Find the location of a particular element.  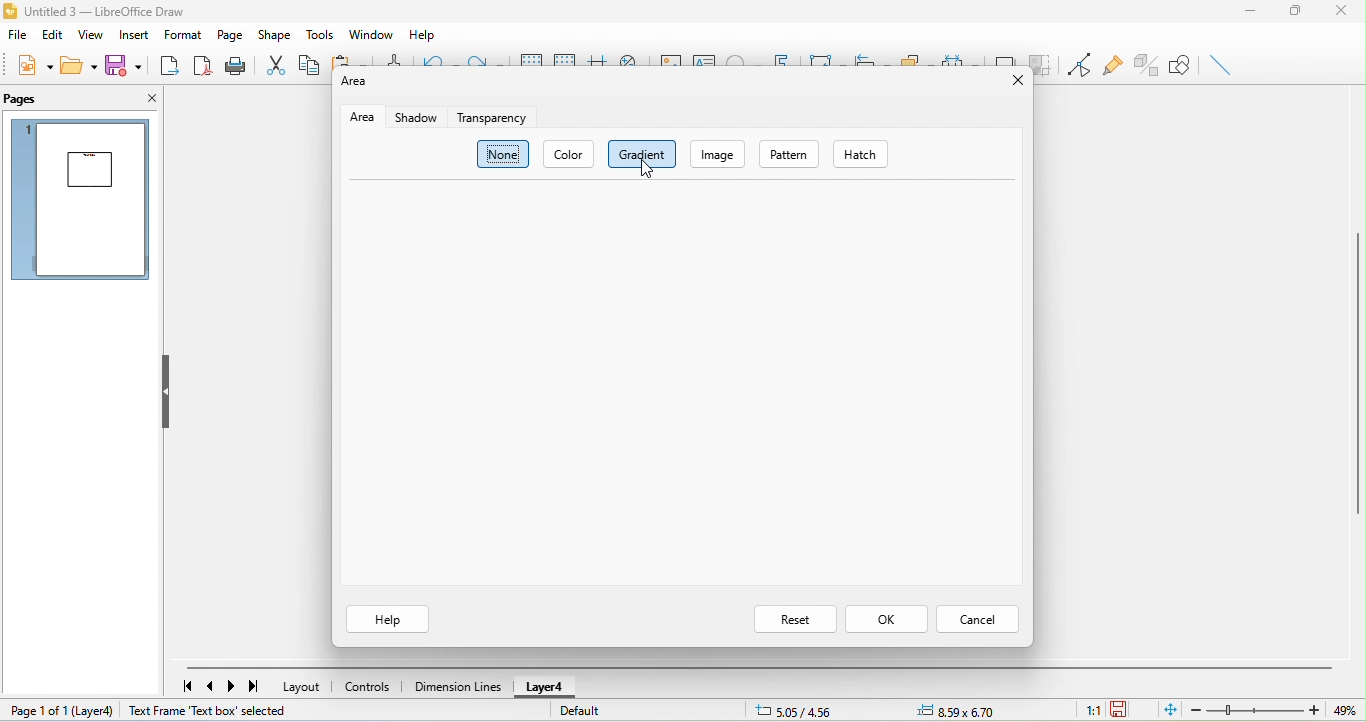

last page is located at coordinates (259, 689).